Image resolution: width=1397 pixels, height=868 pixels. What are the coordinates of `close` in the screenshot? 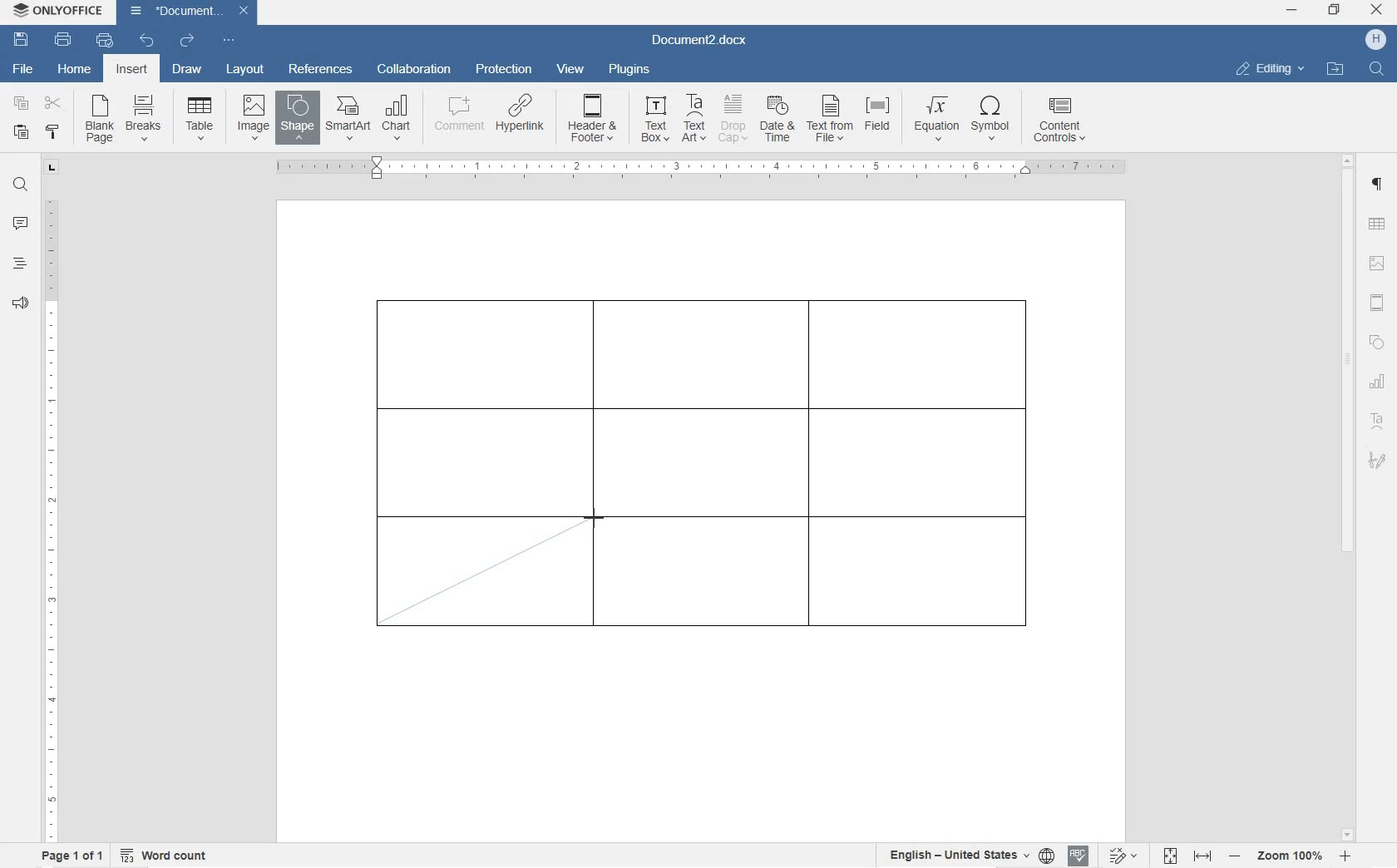 It's located at (1376, 11).